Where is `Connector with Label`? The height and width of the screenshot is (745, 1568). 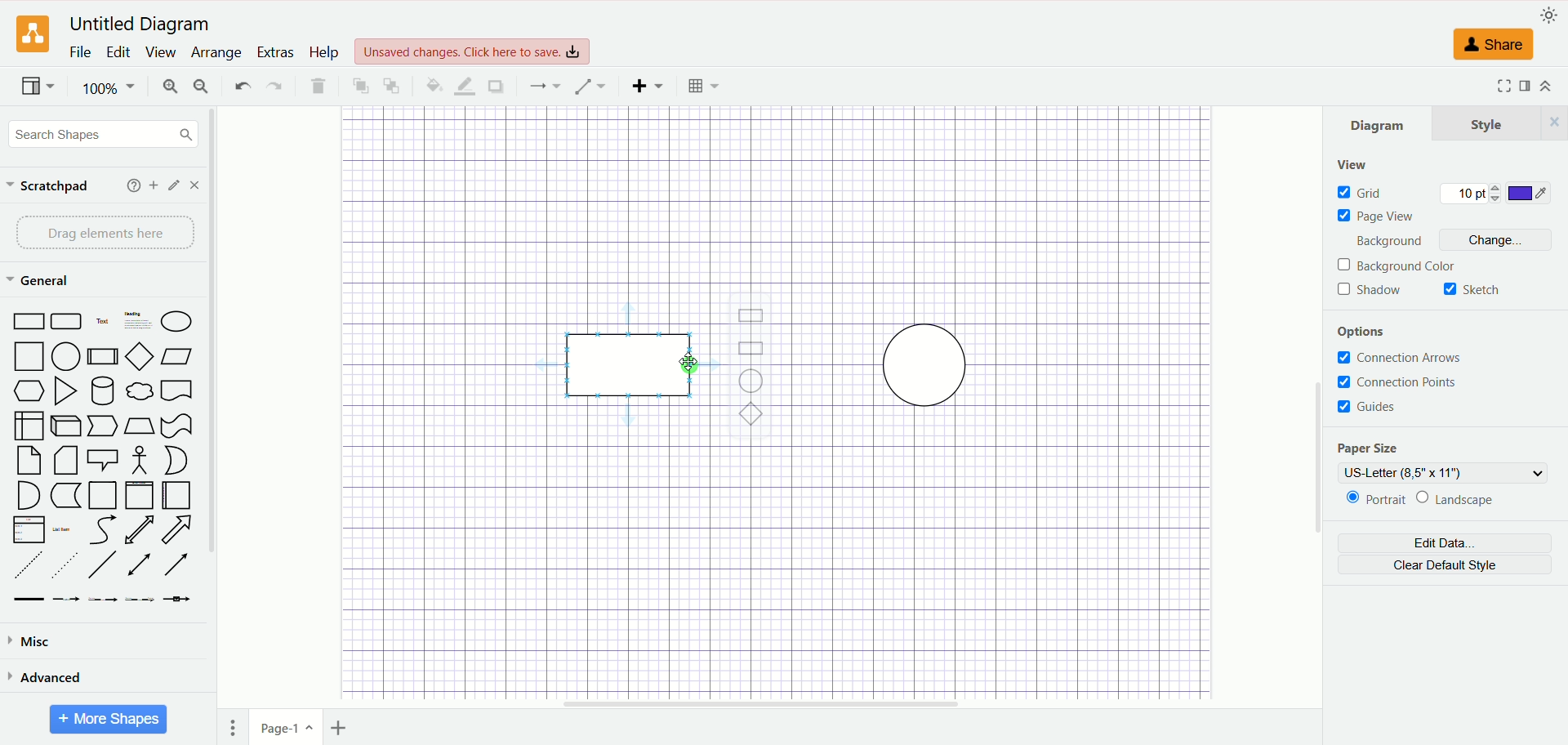 Connector with Label is located at coordinates (67, 603).